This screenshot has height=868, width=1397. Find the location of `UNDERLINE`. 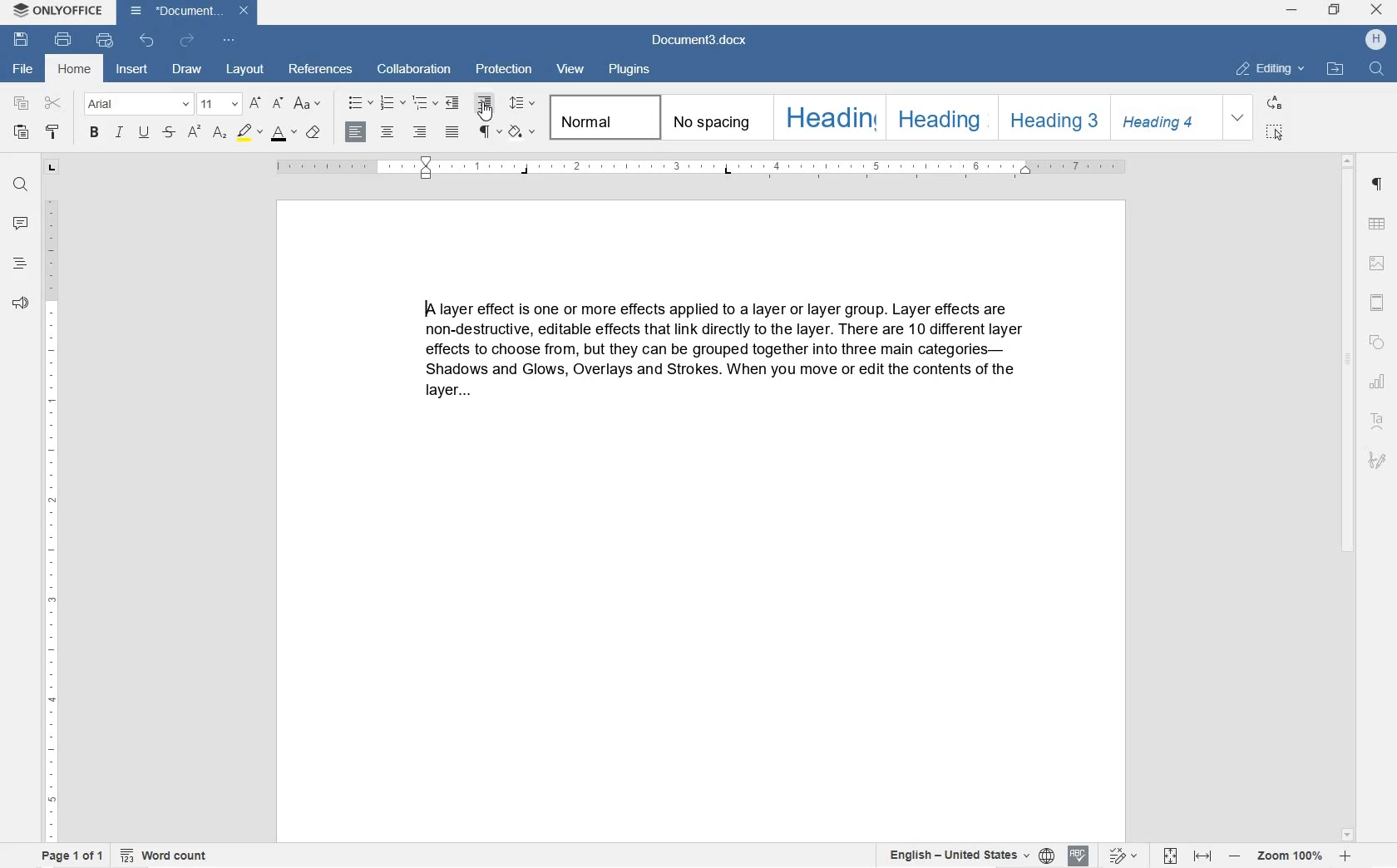

UNDERLINE is located at coordinates (144, 133).